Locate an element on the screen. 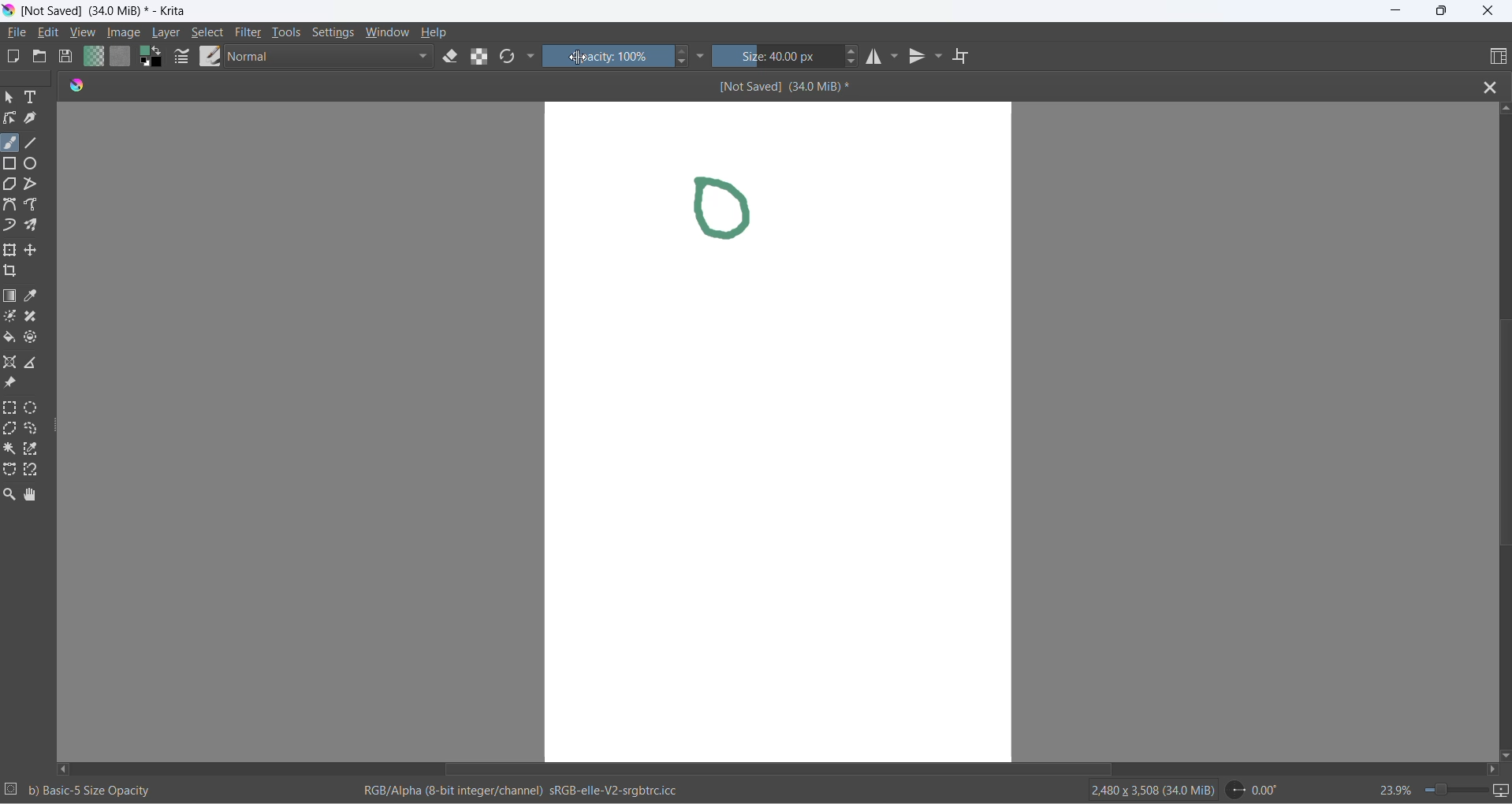  vertical scroll bar is located at coordinates (1499, 446).